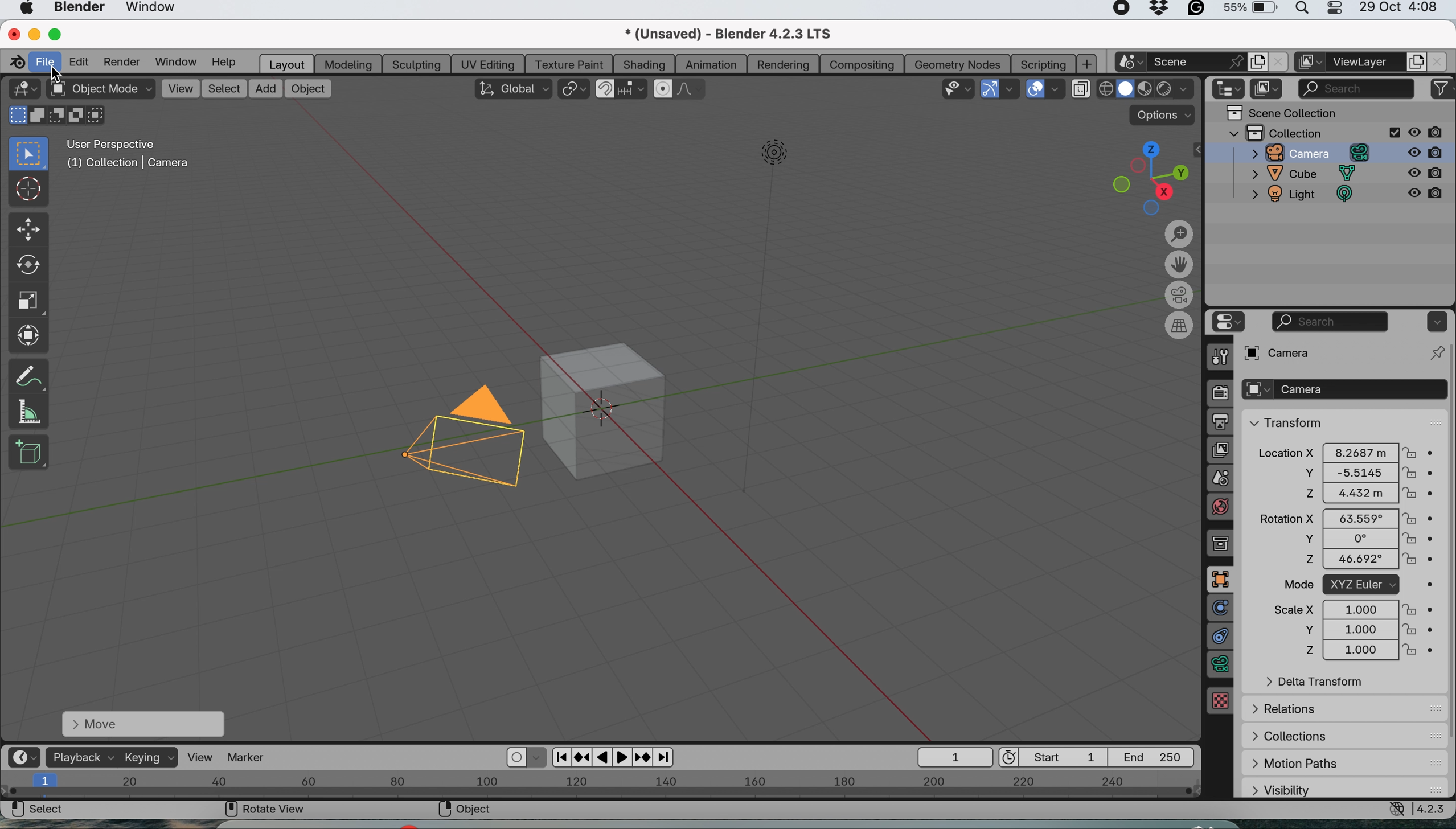  What do you see at coordinates (959, 87) in the screenshot?
I see `selectability and visibility` at bounding box center [959, 87].